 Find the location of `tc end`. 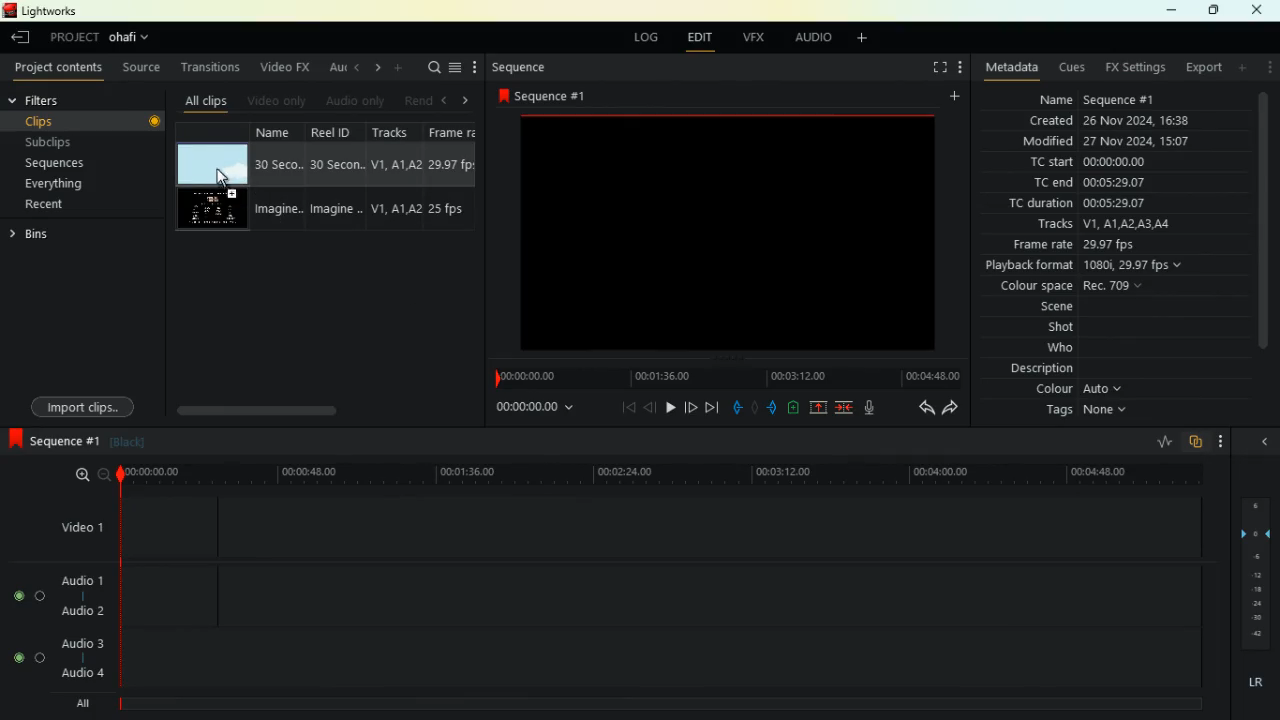

tc end is located at coordinates (1051, 183).